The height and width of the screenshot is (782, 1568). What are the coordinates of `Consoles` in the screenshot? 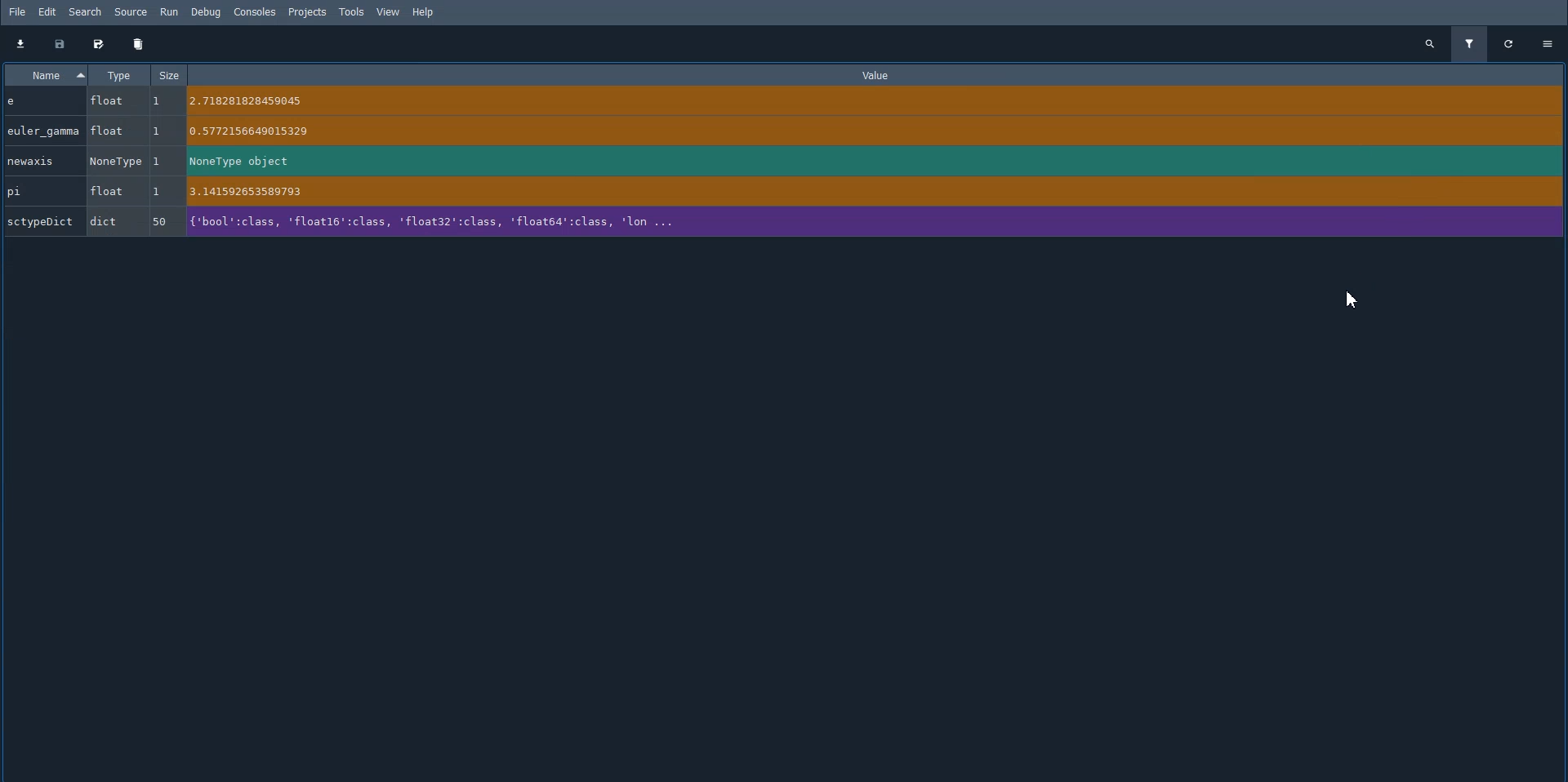 It's located at (254, 12).